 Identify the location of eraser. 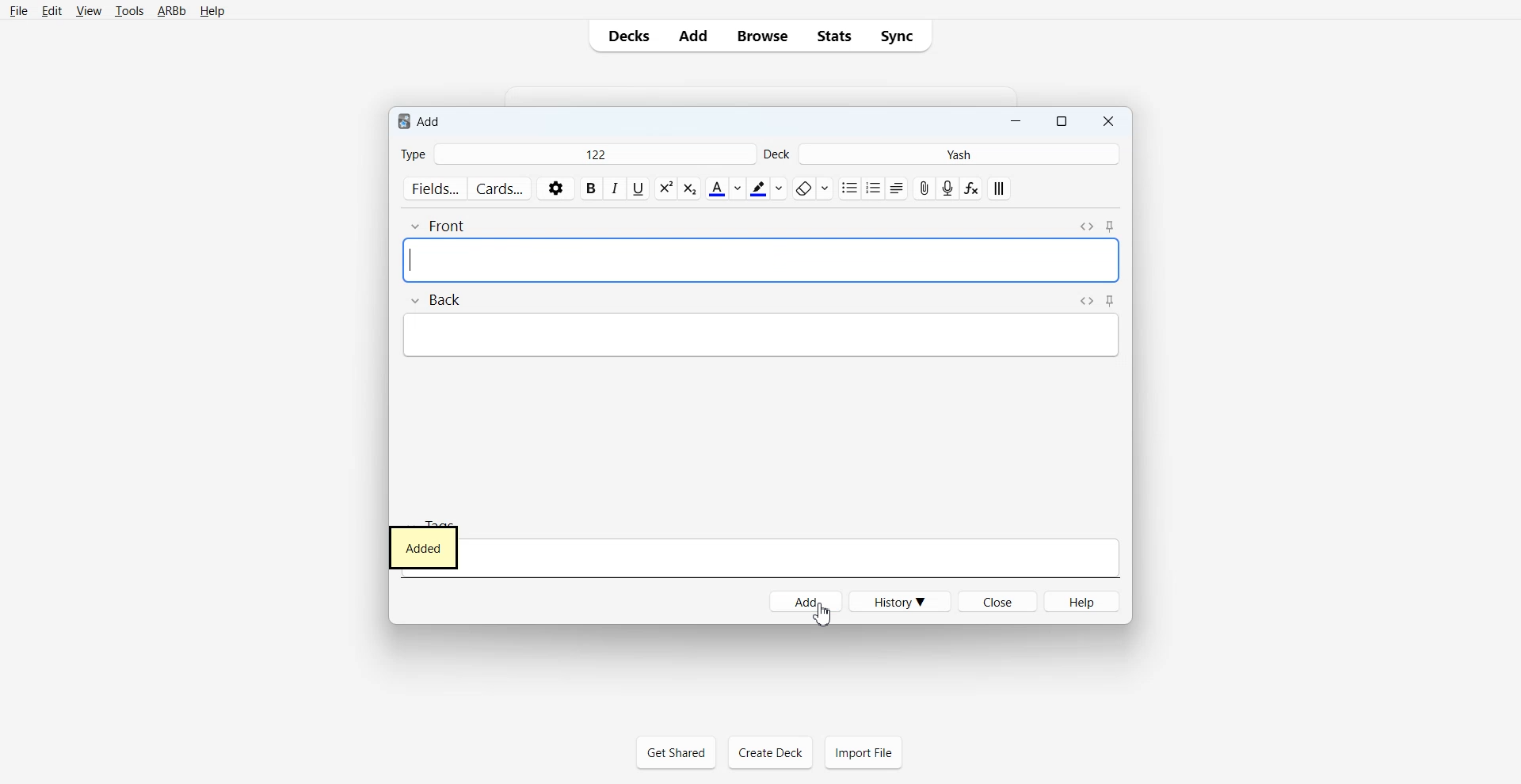
(814, 188).